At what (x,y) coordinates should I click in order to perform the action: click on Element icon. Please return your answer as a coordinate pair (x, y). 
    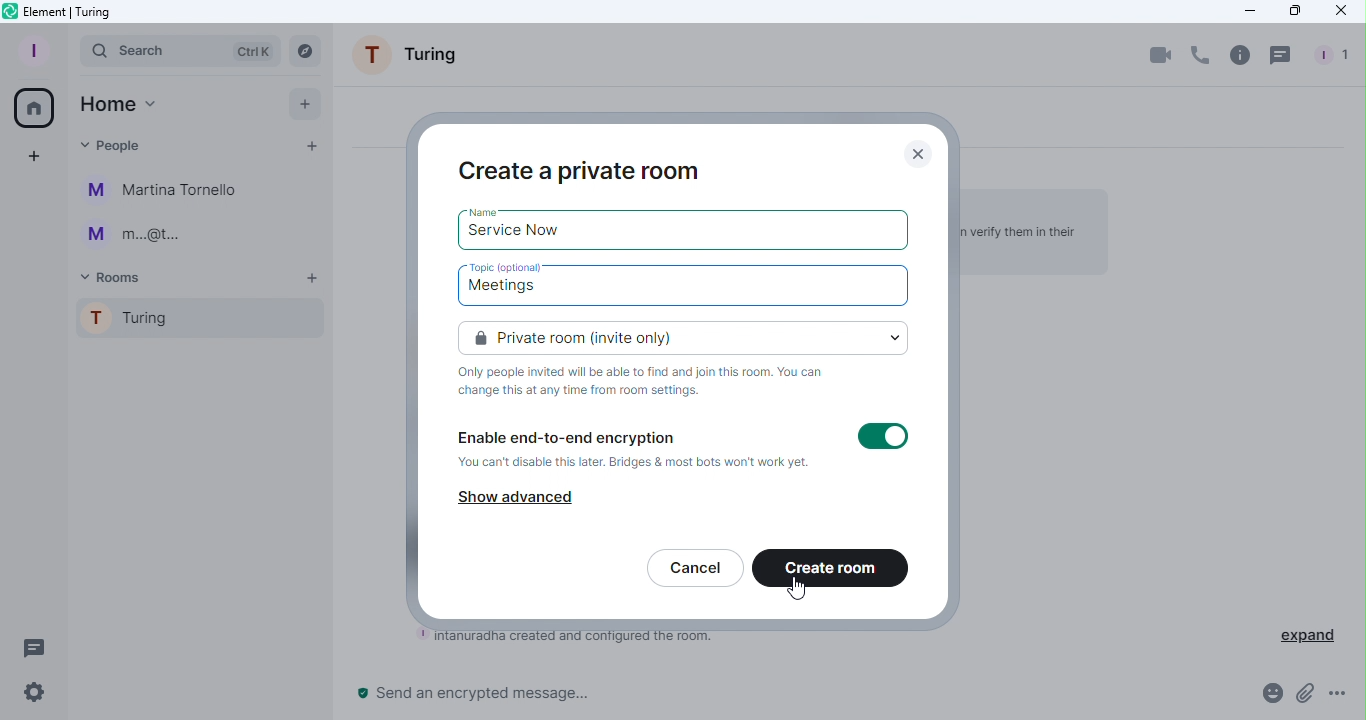
    Looking at the image, I should click on (69, 12).